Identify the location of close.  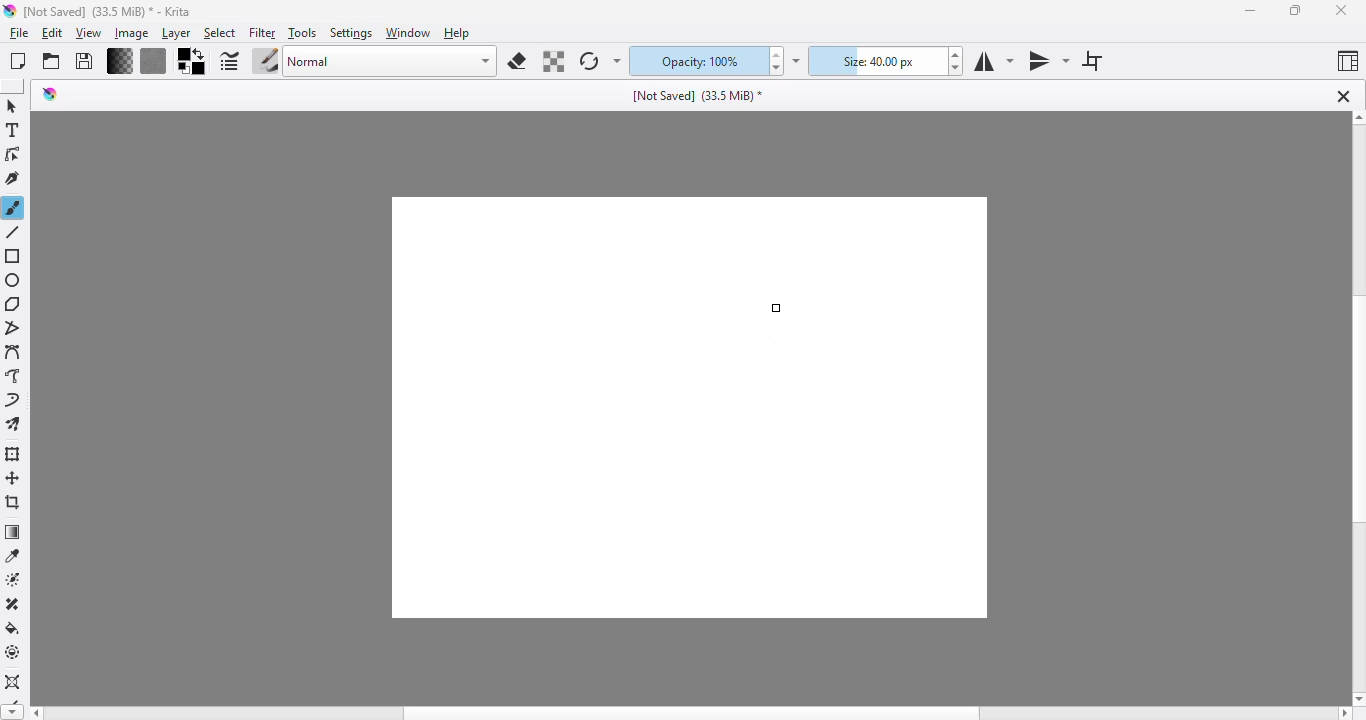
(1341, 11).